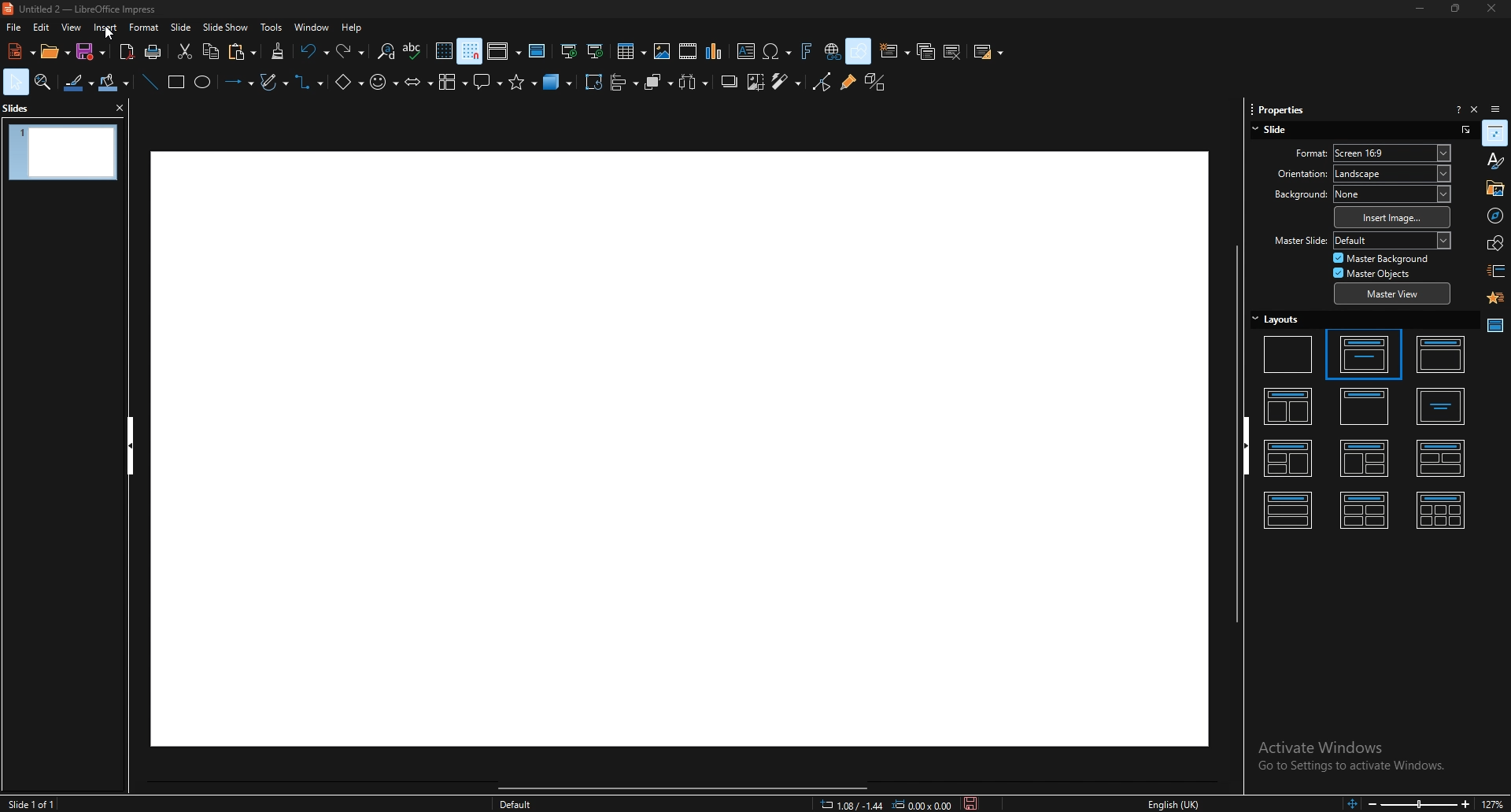  I want to click on lines and arrows, so click(238, 83).